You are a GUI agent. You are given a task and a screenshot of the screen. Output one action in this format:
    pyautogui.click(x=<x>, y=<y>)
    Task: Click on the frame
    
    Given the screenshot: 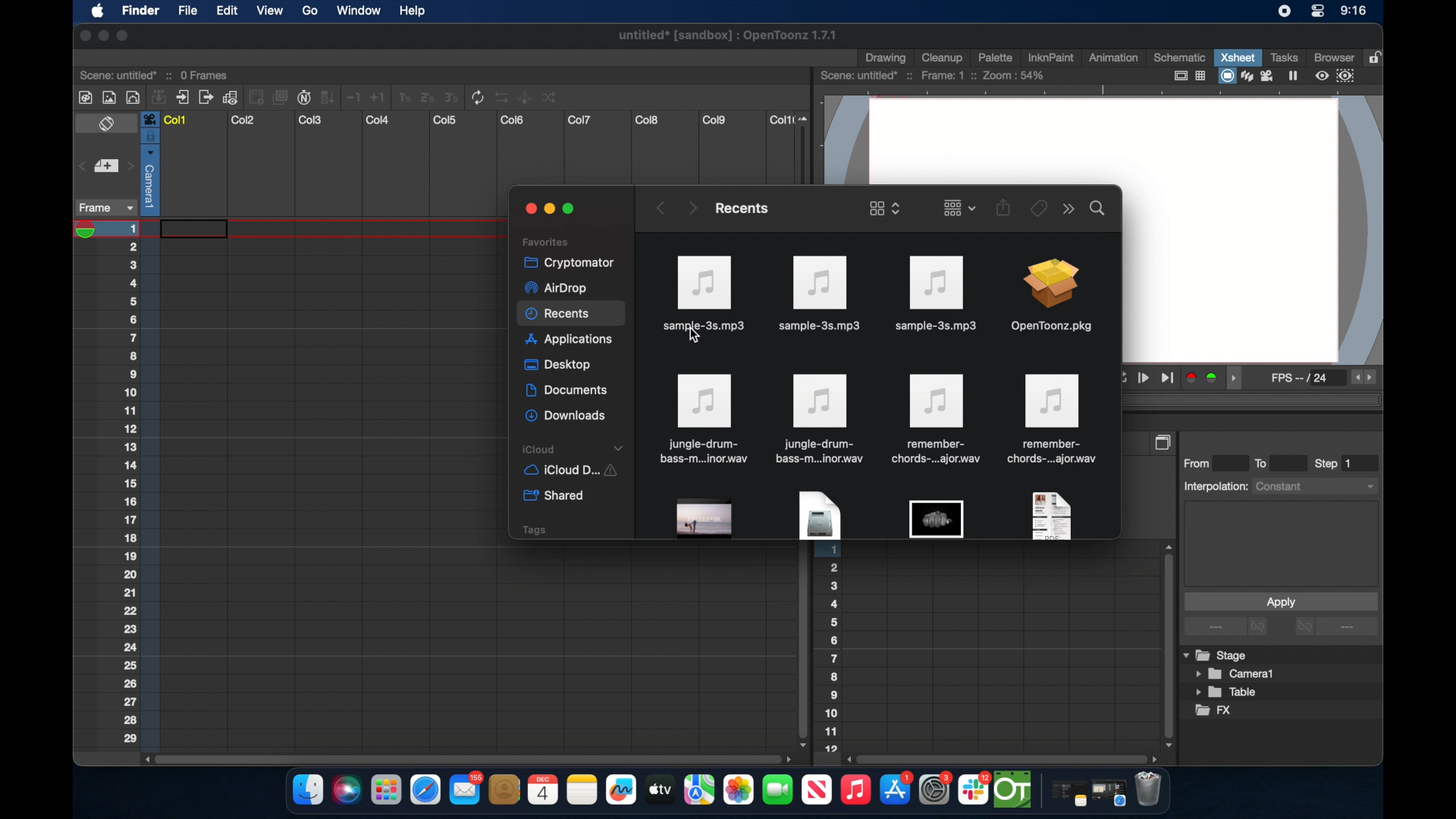 What is the action you would take?
    pyautogui.click(x=103, y=208)
    